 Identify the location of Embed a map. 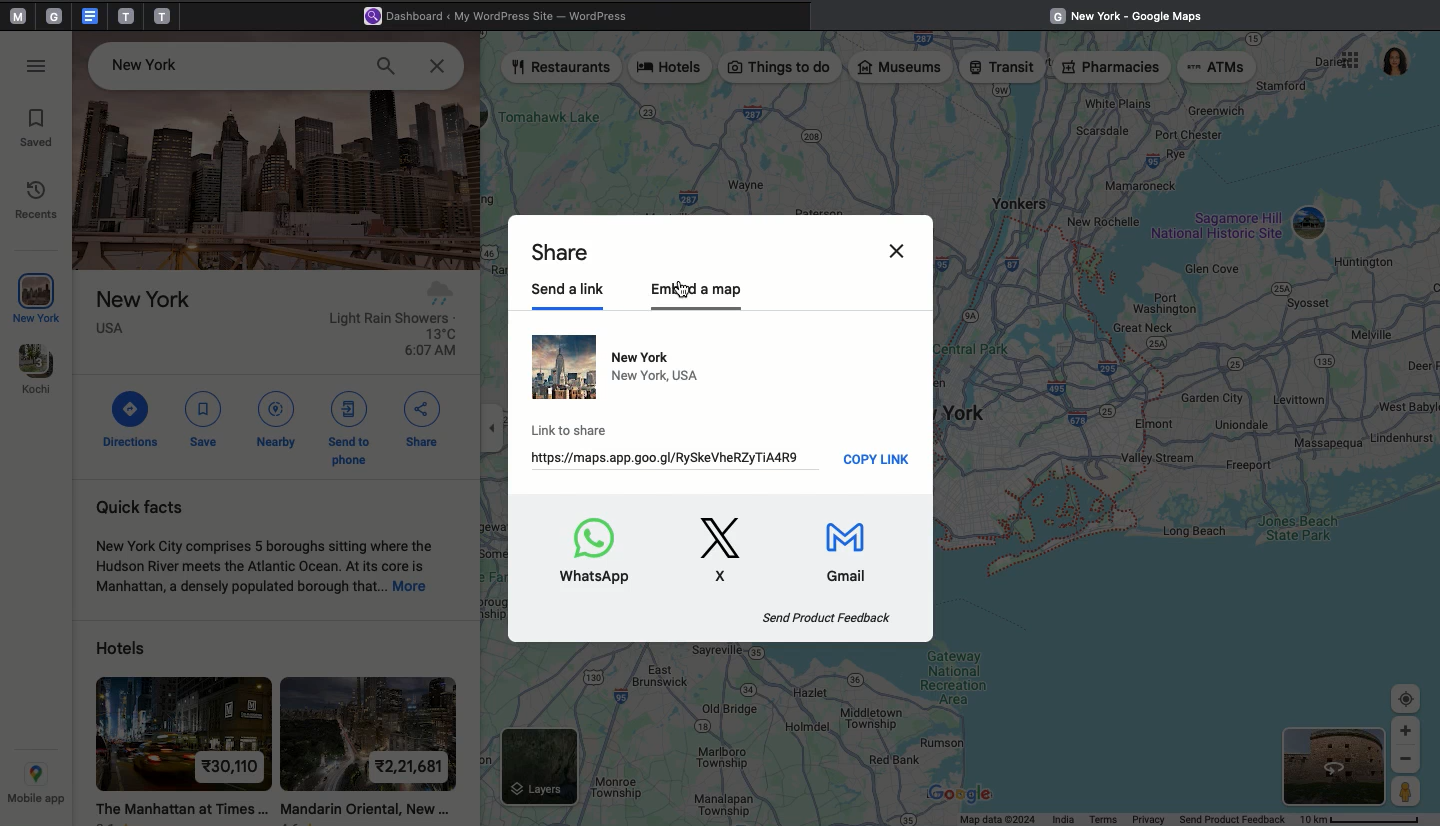
(697, 292).